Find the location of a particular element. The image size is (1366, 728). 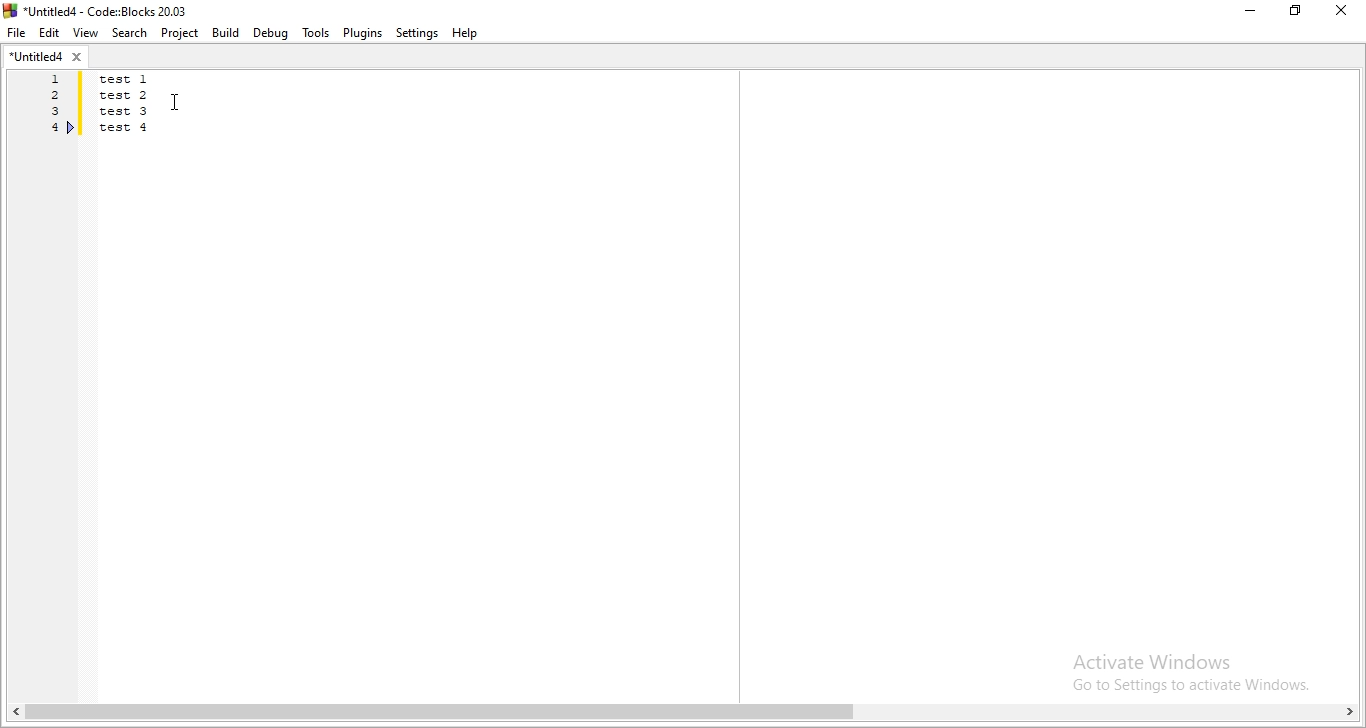

cursor is located at coordinates (177, 105).